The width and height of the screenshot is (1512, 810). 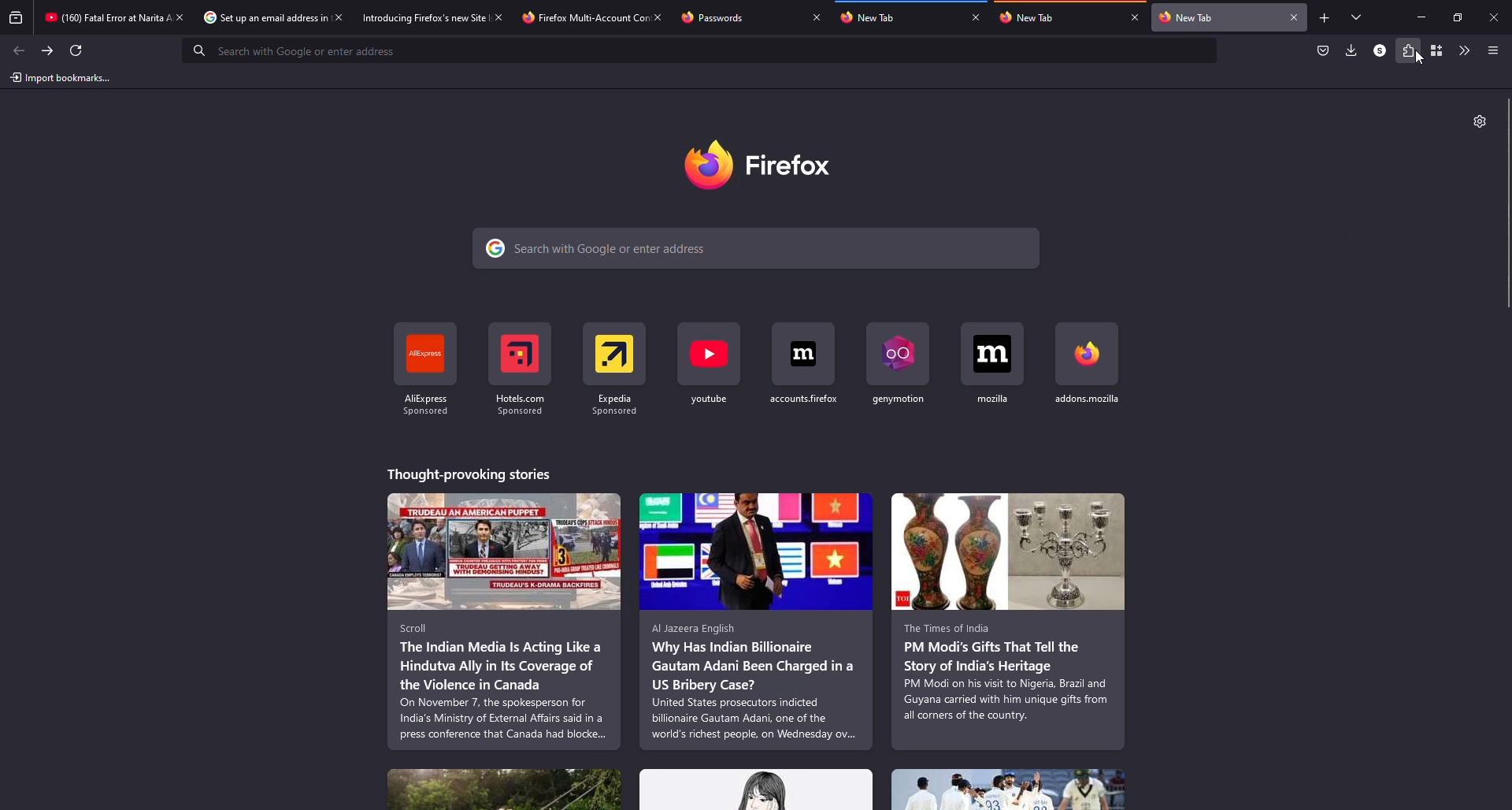 What do you see at coordinates (1350, 50) in the screenshot?
I see `downloads` at bounding box center [1350, 50].